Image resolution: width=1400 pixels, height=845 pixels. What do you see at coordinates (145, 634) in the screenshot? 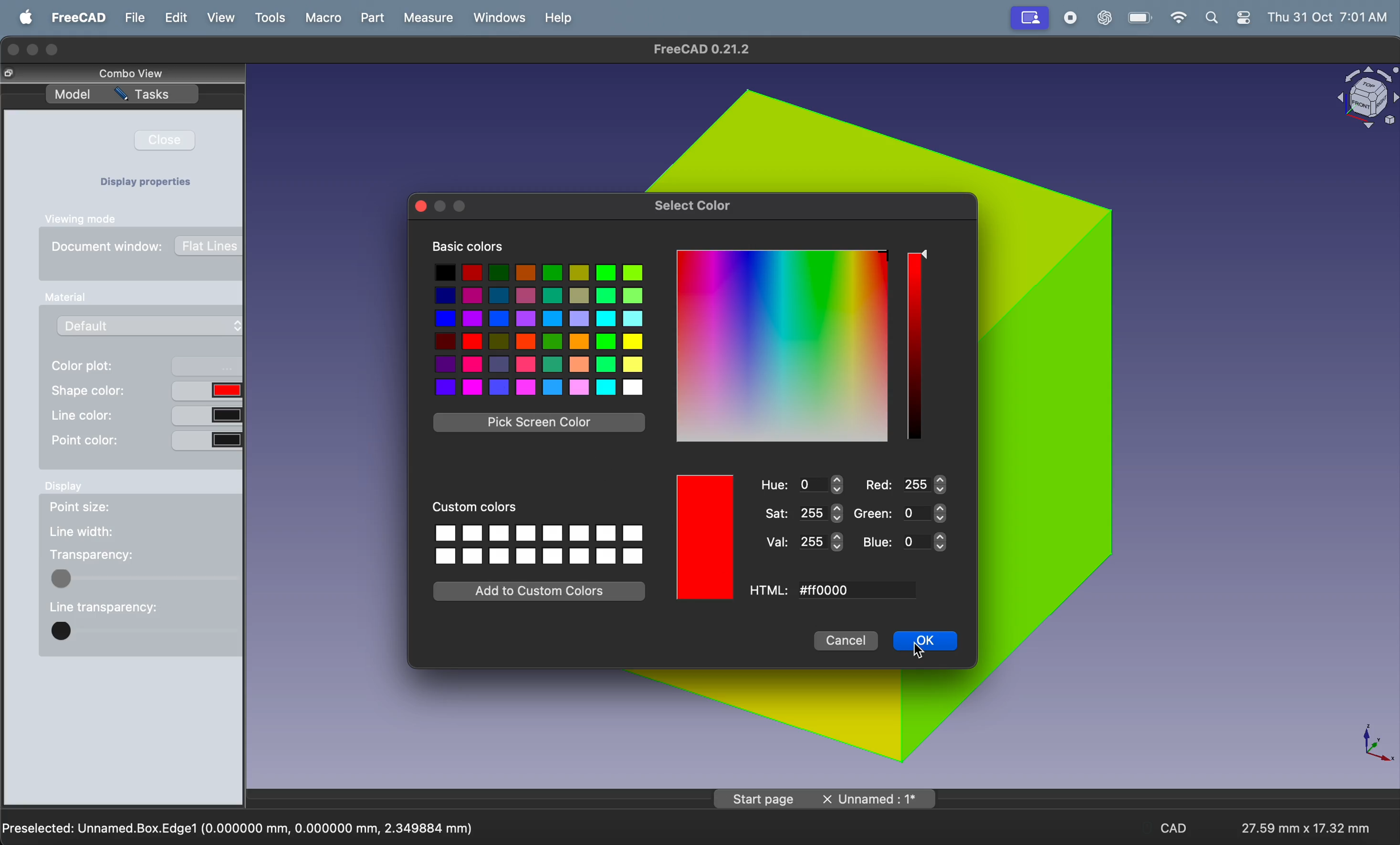
I see `toogle` at bounding box center [145, 634].